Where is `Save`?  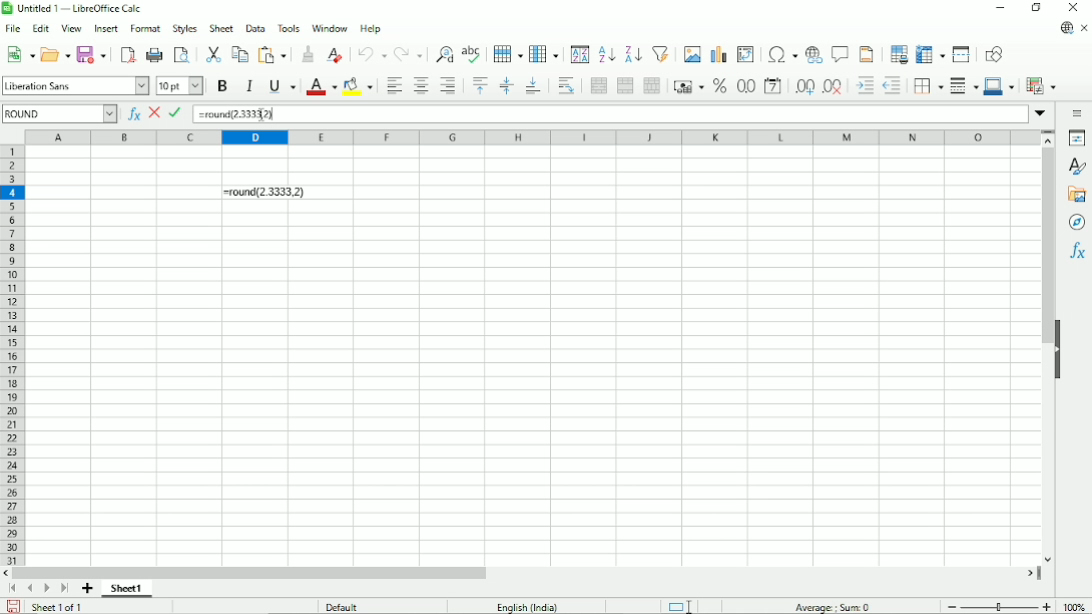
Save is located at coordinates (92, 54).